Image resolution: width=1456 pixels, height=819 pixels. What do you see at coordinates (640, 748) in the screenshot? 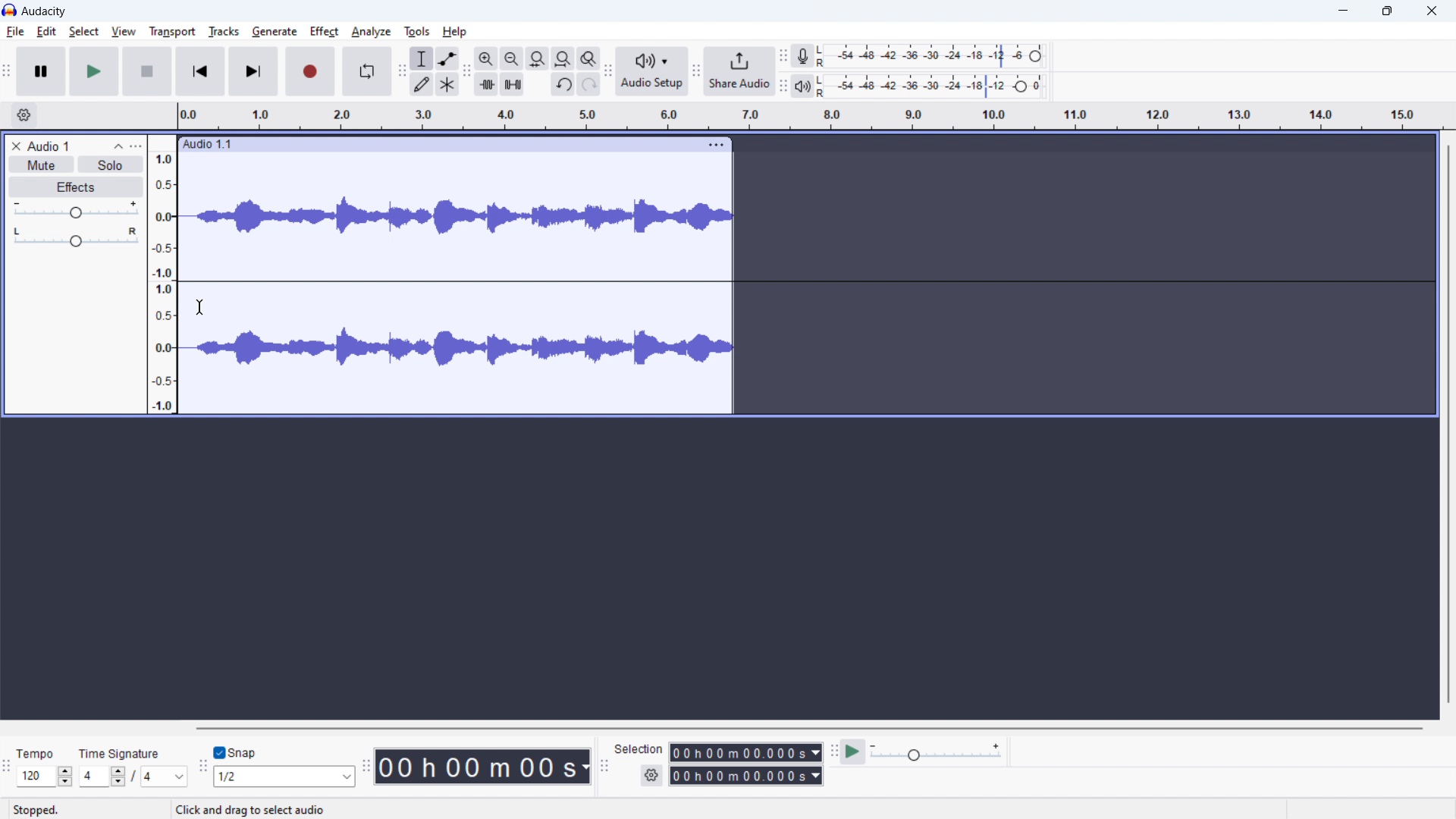
I see `selection` at bounding box center [640, 748].